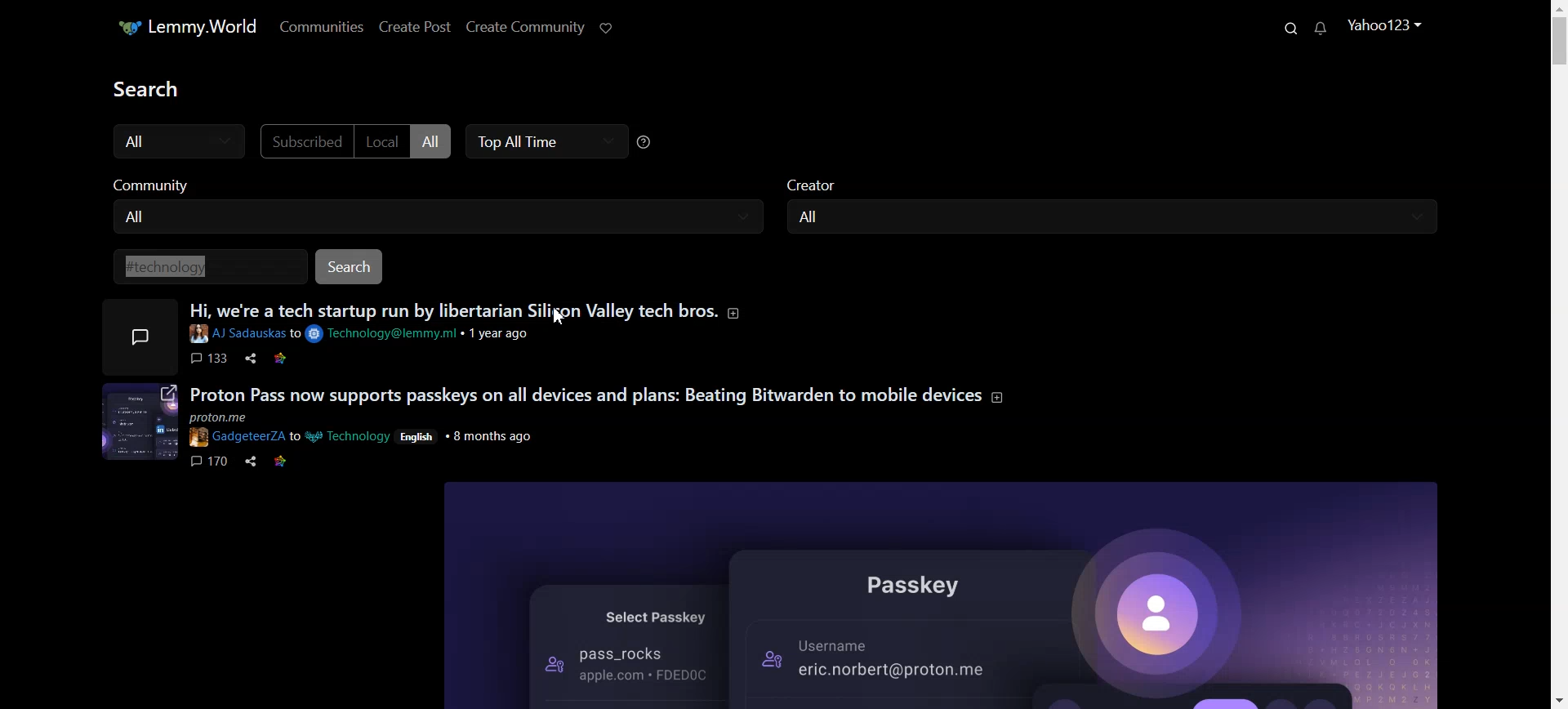 The image size is (1568, 709). What do you see at coordinates (283, 462) in the screenshot?
I see `link` at bounding box center [283, 462].